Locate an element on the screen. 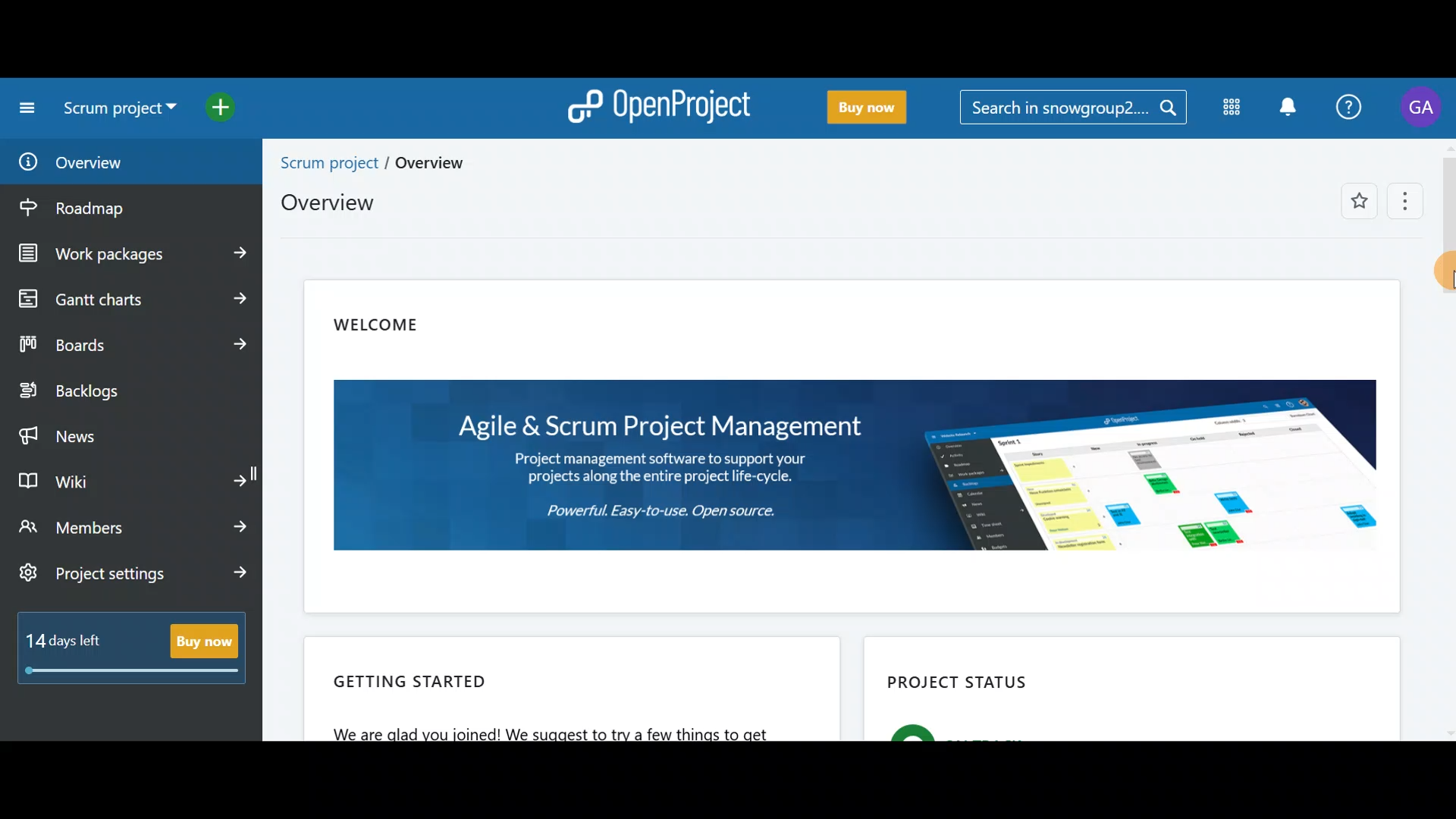 This screenshot has width=1456, height=819. Roadmap is located at coordinates (105, 209).